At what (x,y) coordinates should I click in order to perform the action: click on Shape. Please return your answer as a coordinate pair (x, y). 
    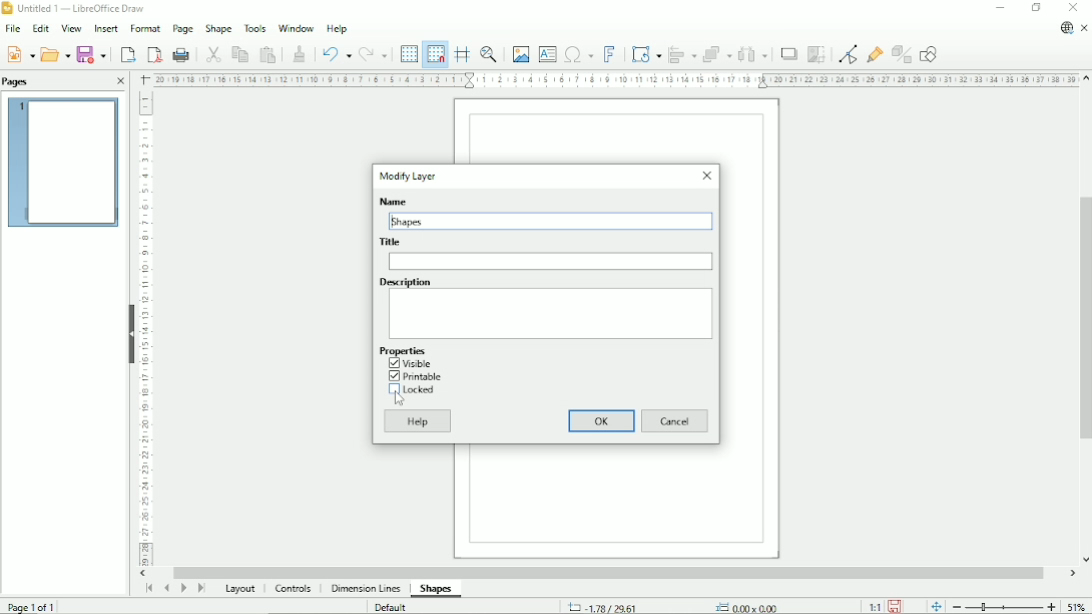
    Looking at the image, I should click on (218, 30).